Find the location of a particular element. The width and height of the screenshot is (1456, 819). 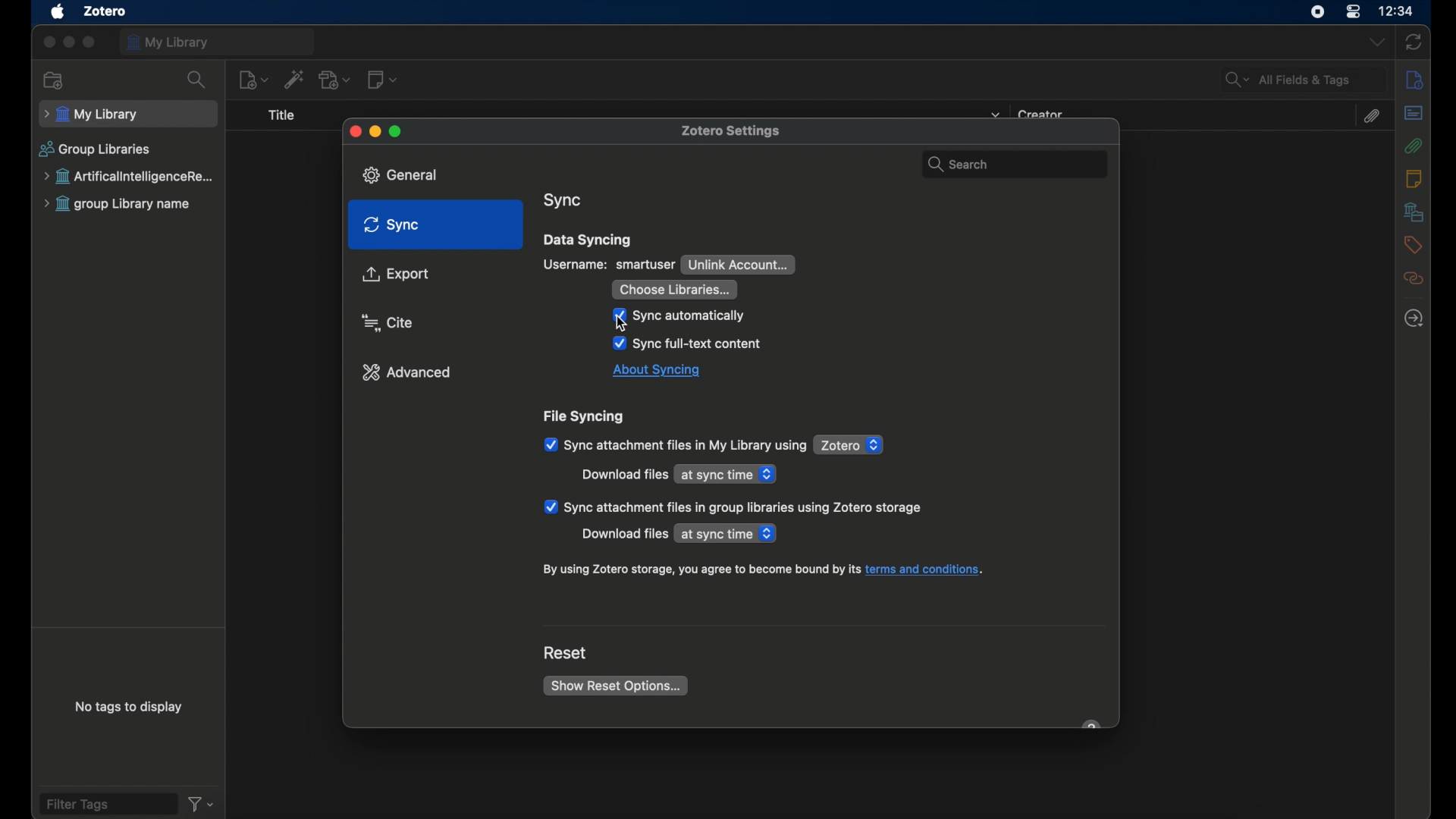

minimize is located at coordinates (68, 42).